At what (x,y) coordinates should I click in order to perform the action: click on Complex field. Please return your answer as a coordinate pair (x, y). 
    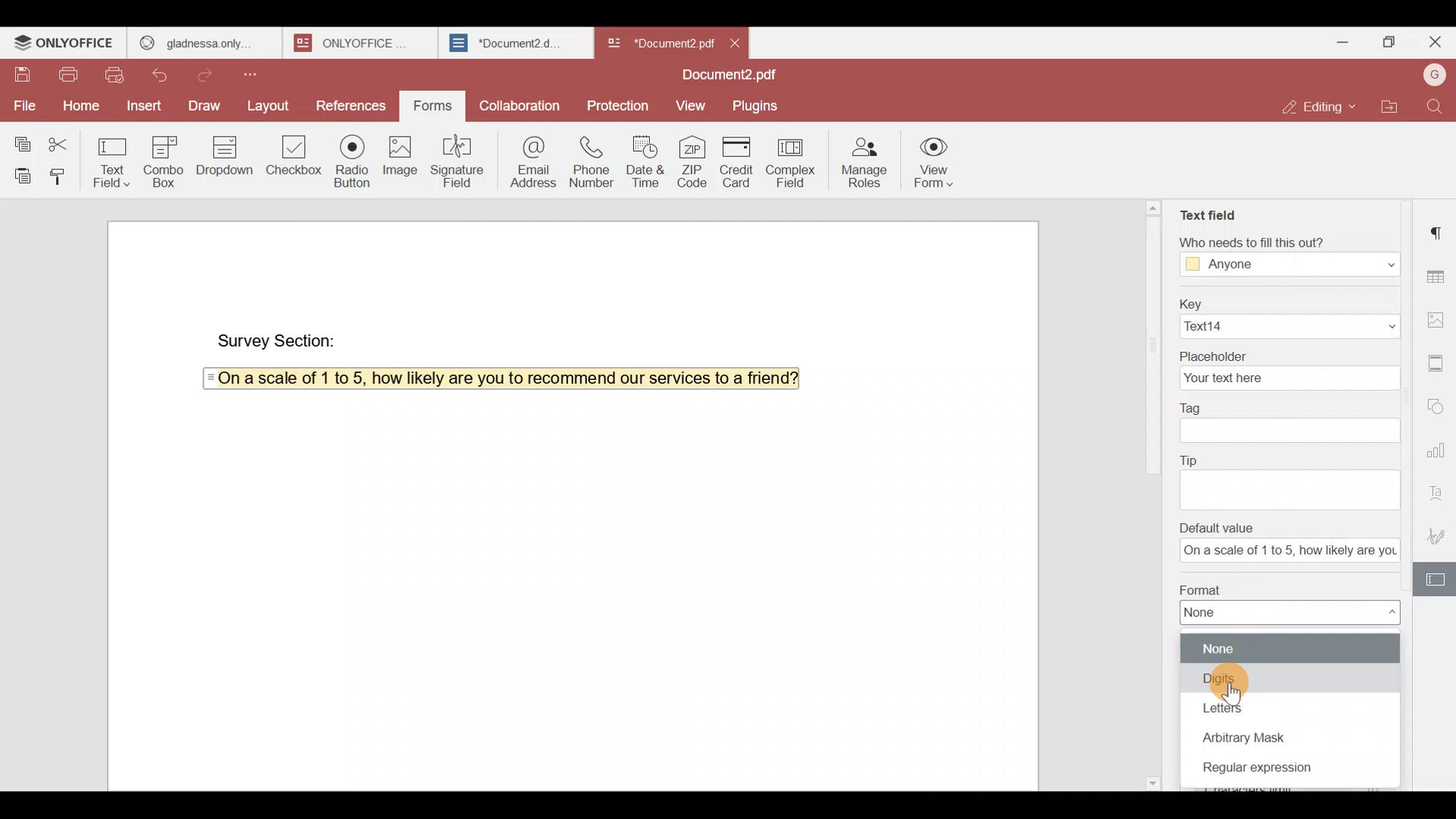
    Looking at the image, I should click on (796, 160).